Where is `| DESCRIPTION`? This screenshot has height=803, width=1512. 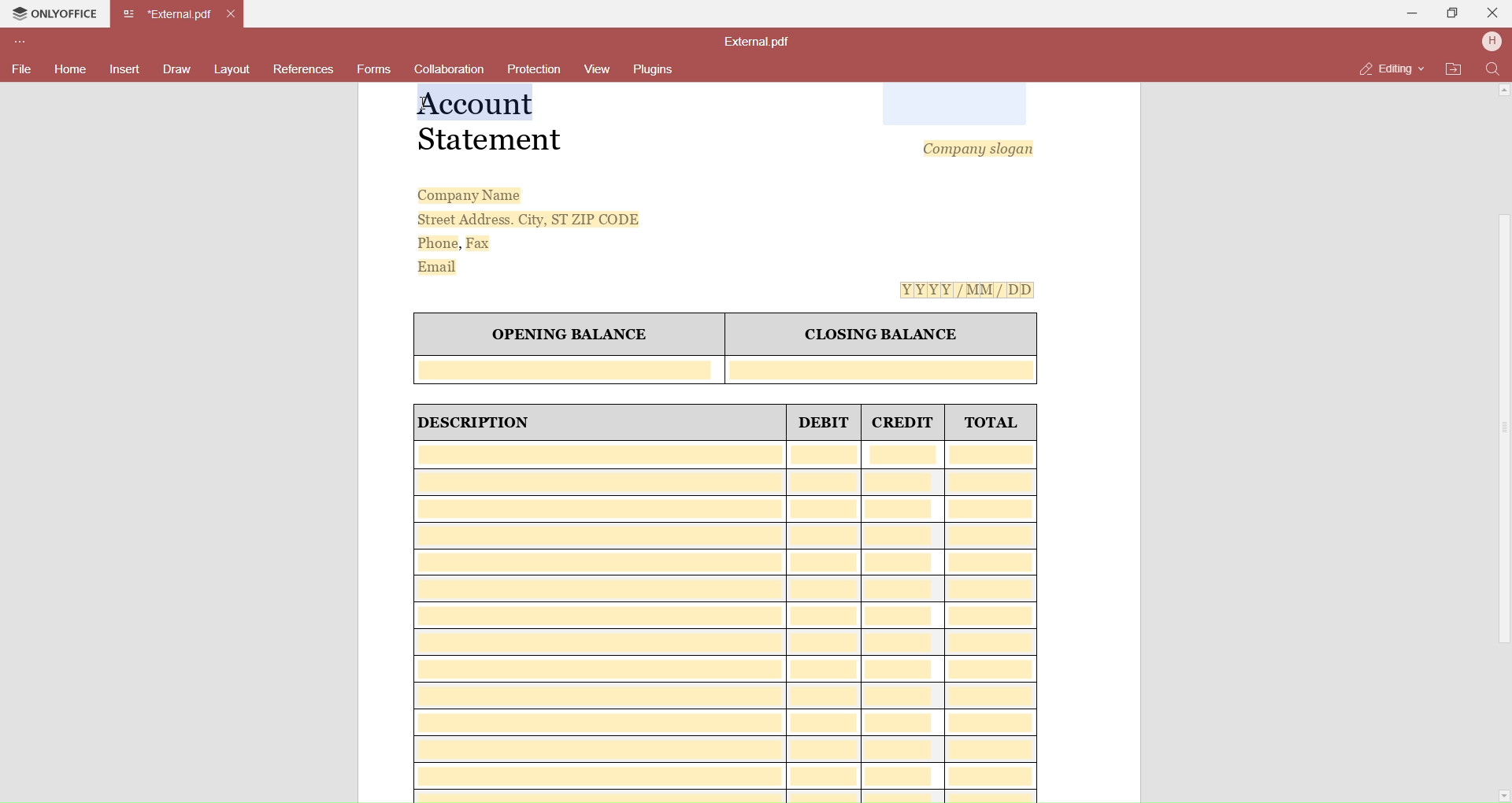 | DESCRIPTION is located at coordinates (476, 423).